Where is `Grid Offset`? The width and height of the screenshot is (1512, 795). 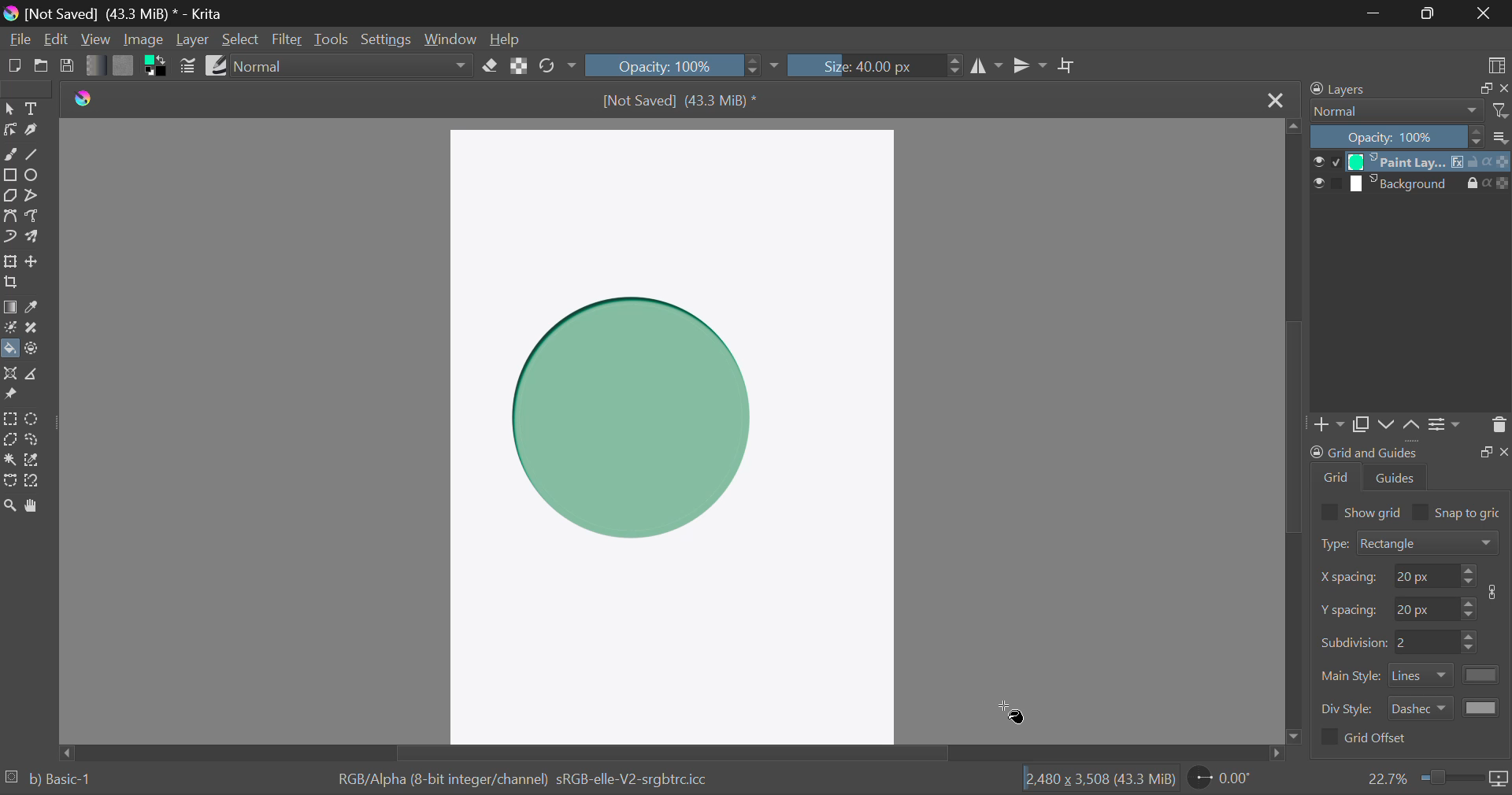 Grid Offset is located at coordinates (1367, 739).